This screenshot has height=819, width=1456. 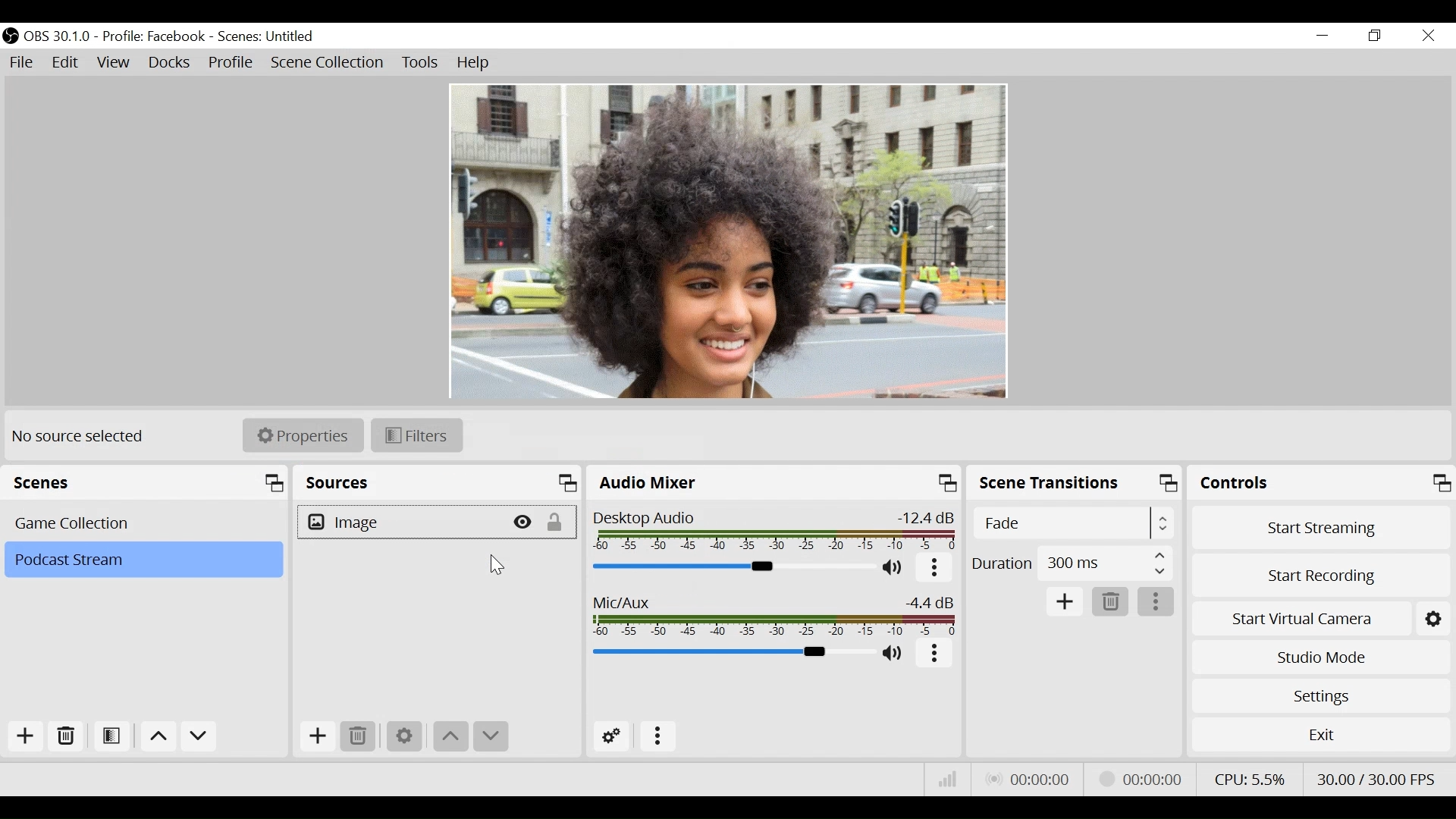 What do you see at coordinates (774, 530) in the screenshot?
I see `Desktop Audio` at bounding box center [774, 530].